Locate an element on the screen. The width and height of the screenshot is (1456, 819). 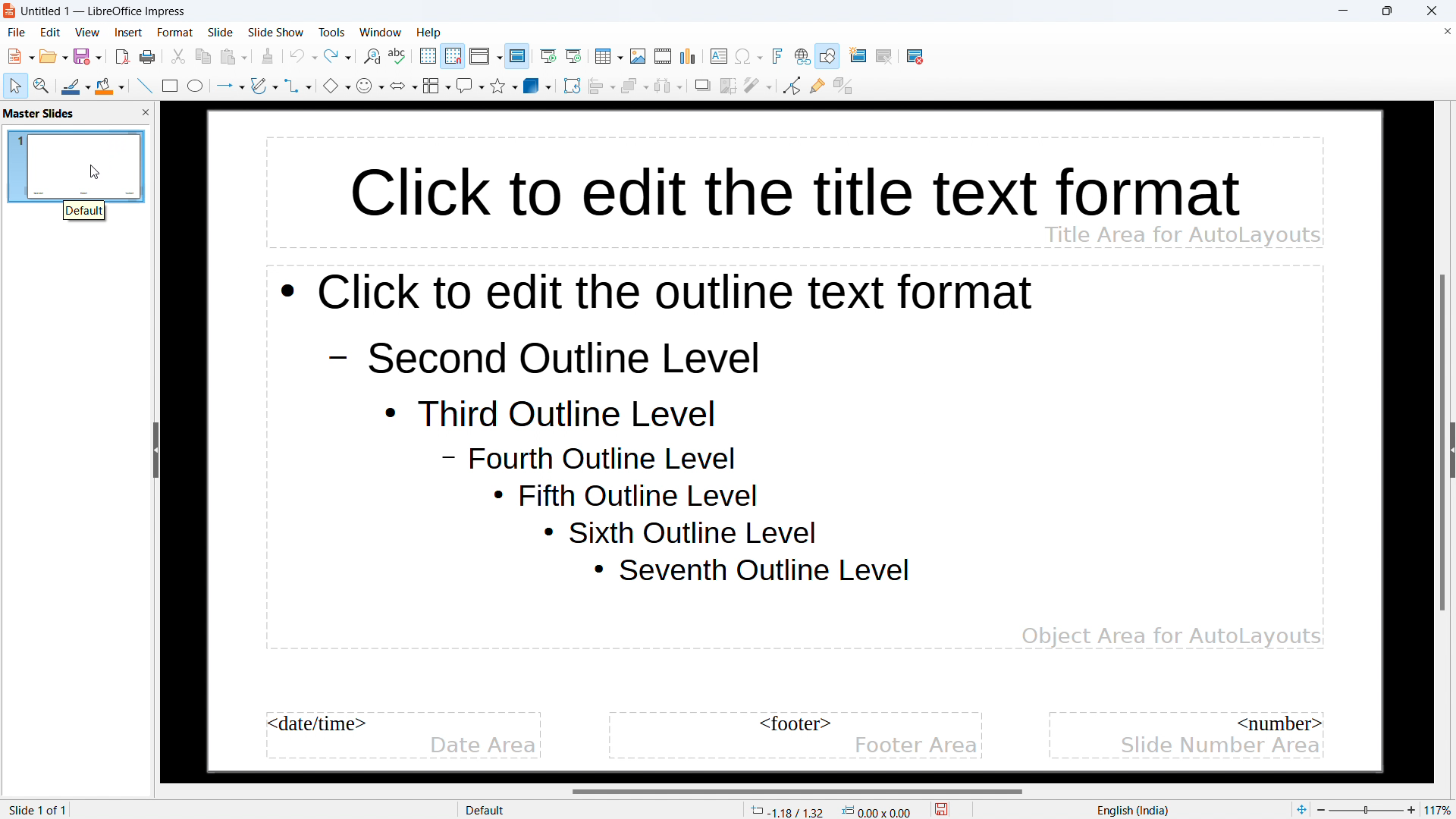
dimensions is located at coordinates (877, 811).